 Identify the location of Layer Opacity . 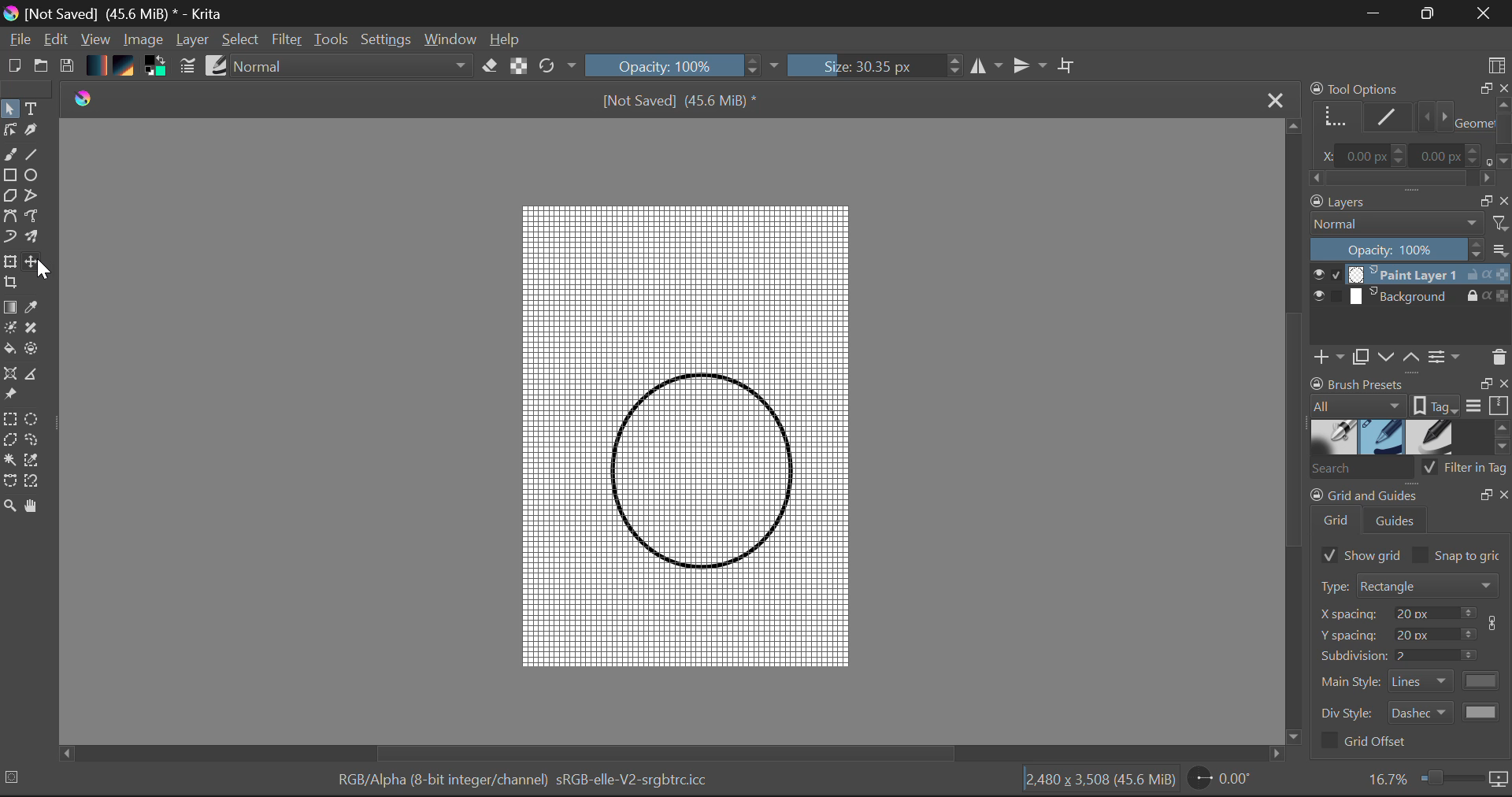
(1410, 250).